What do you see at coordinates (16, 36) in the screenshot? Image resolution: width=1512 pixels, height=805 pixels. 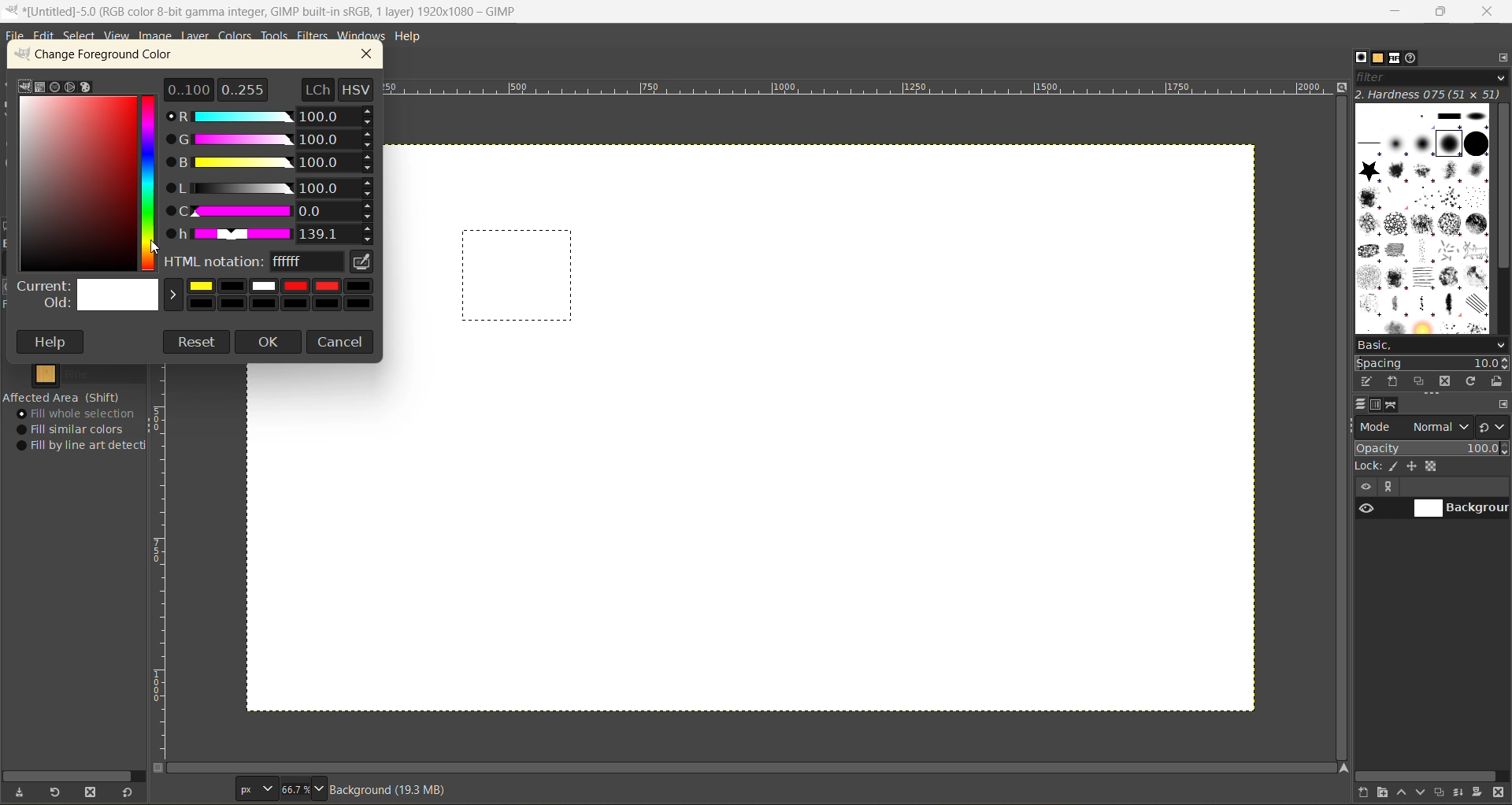 I see `file` at bounding box center [16, 36].